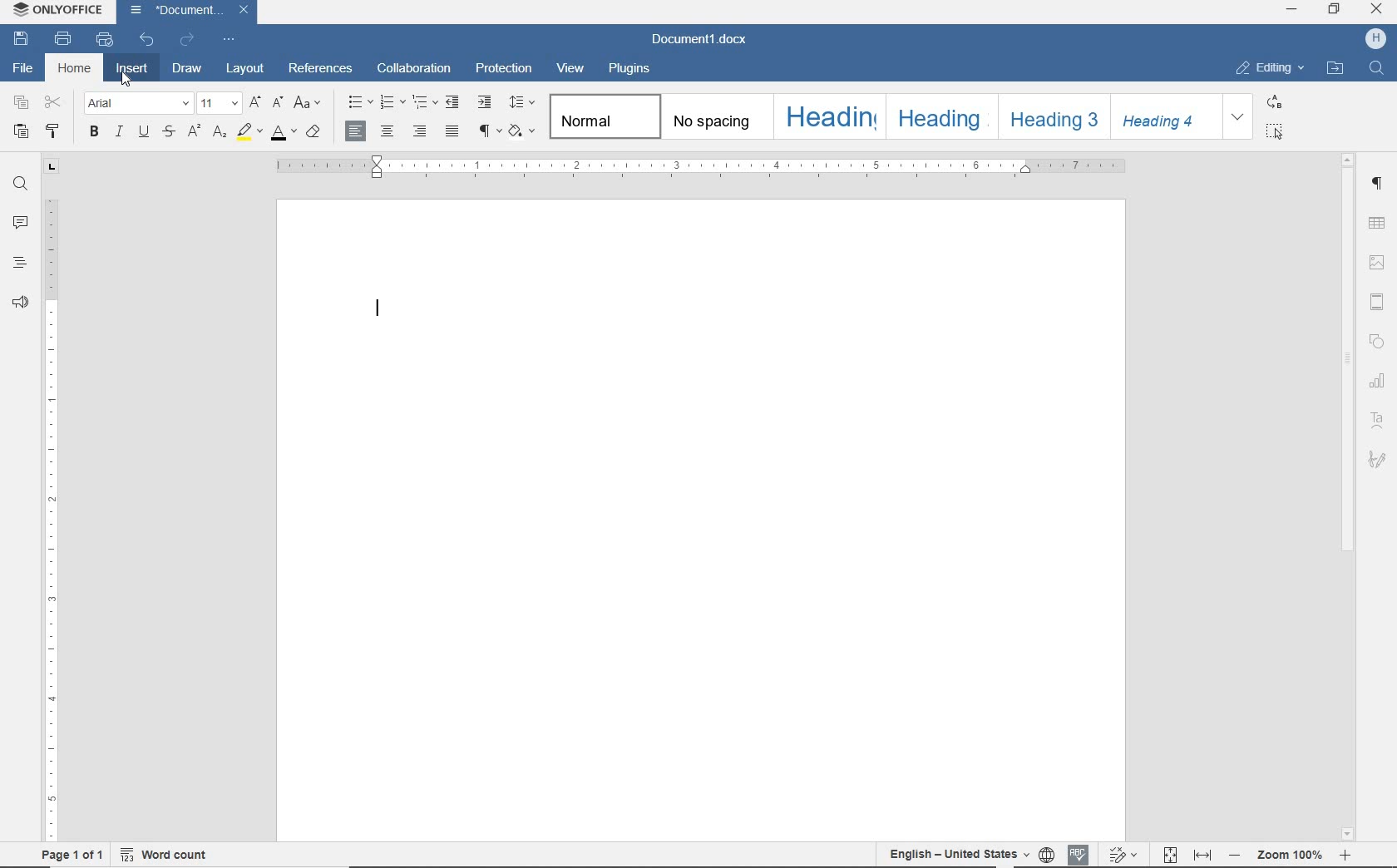  Describe the element at coordinates (958, 856) in the screenshot. I see `English- United States(text language)` at that location.